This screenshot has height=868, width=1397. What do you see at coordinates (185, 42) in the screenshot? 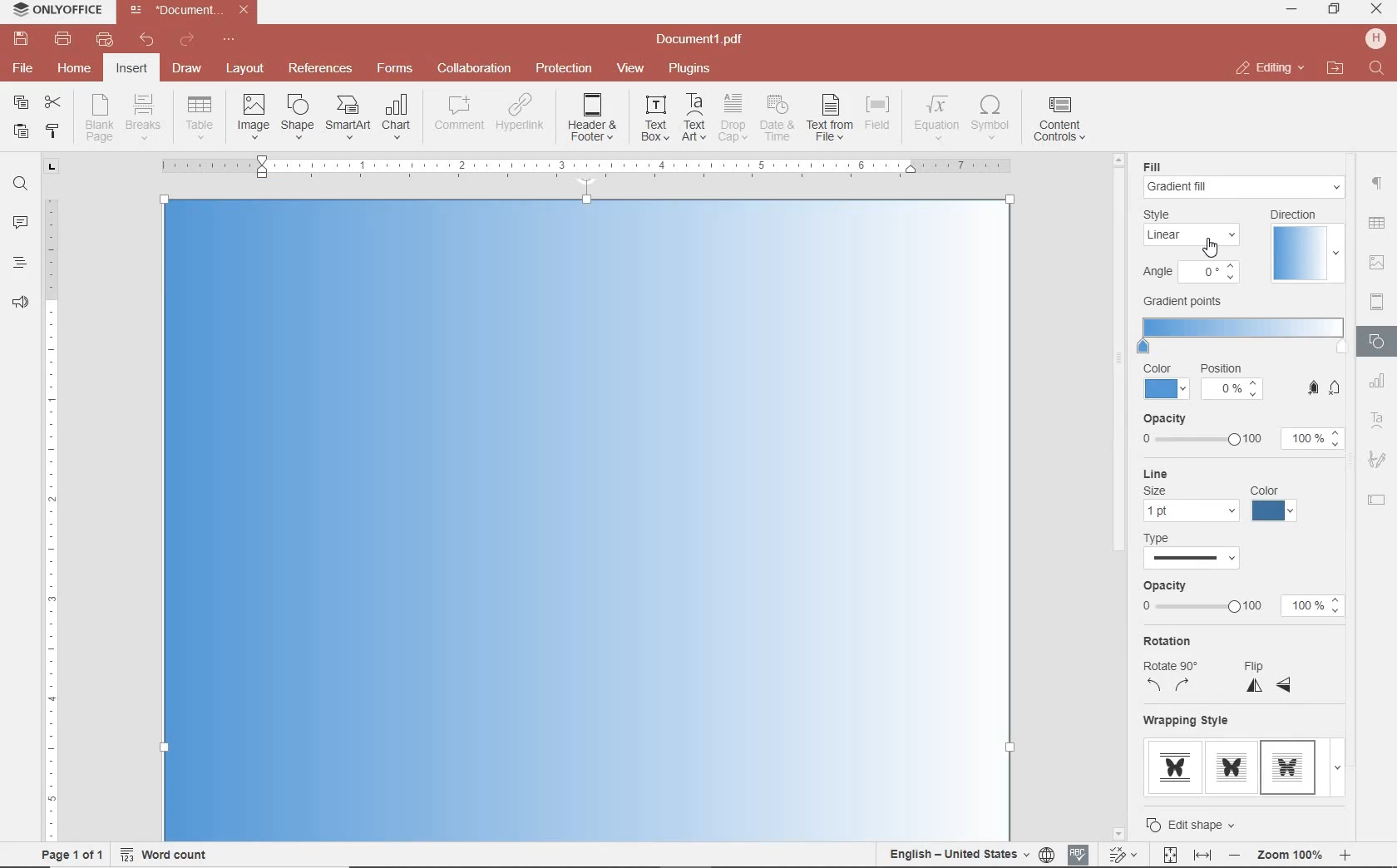
I see `redo` at bounding box center [185, 42].